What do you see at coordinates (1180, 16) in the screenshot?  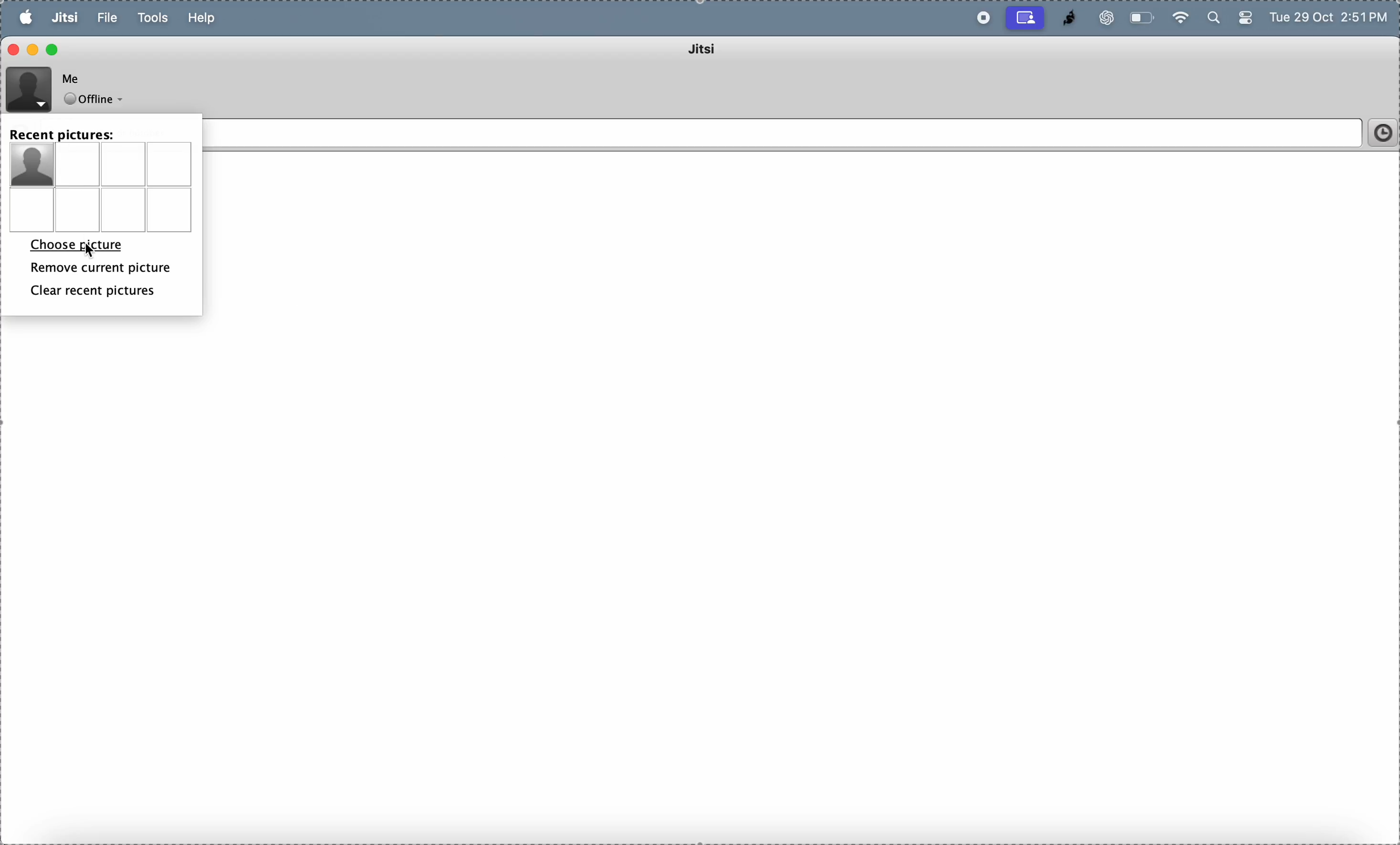 I see `wifi` at bounding box center [1180, 16].